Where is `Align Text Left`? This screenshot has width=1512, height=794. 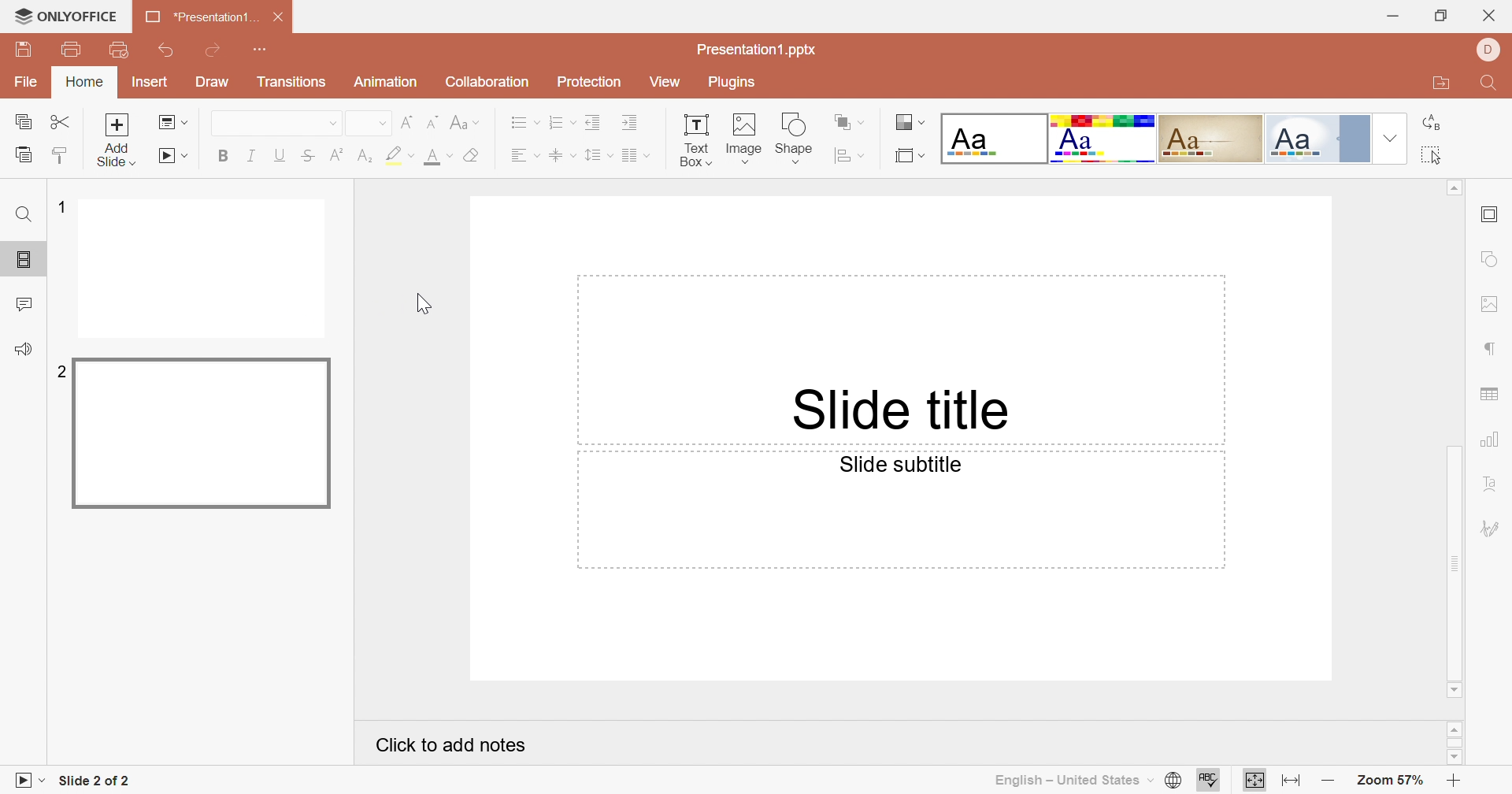 Align Text Left is located at coordinates (519, 155).